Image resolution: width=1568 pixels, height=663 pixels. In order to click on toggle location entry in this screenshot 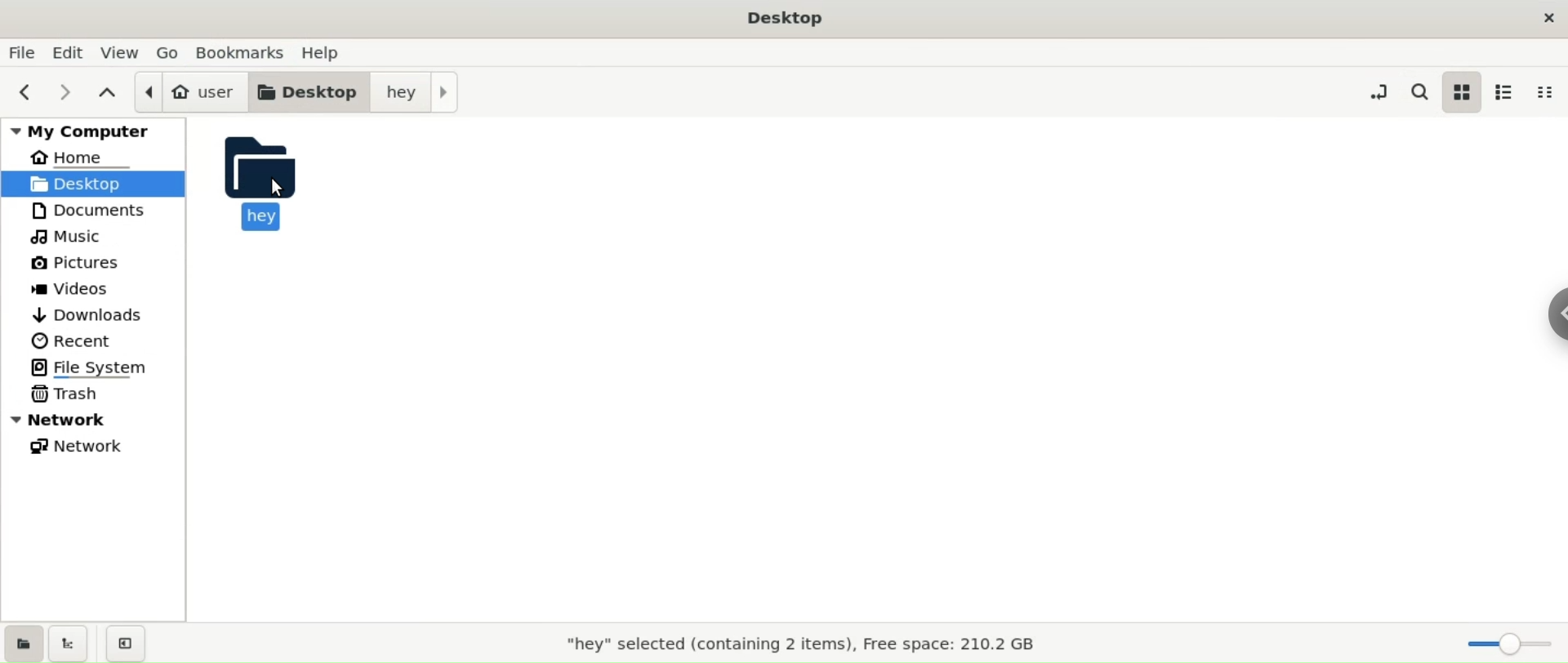, I will do `click(1383, 93)`.